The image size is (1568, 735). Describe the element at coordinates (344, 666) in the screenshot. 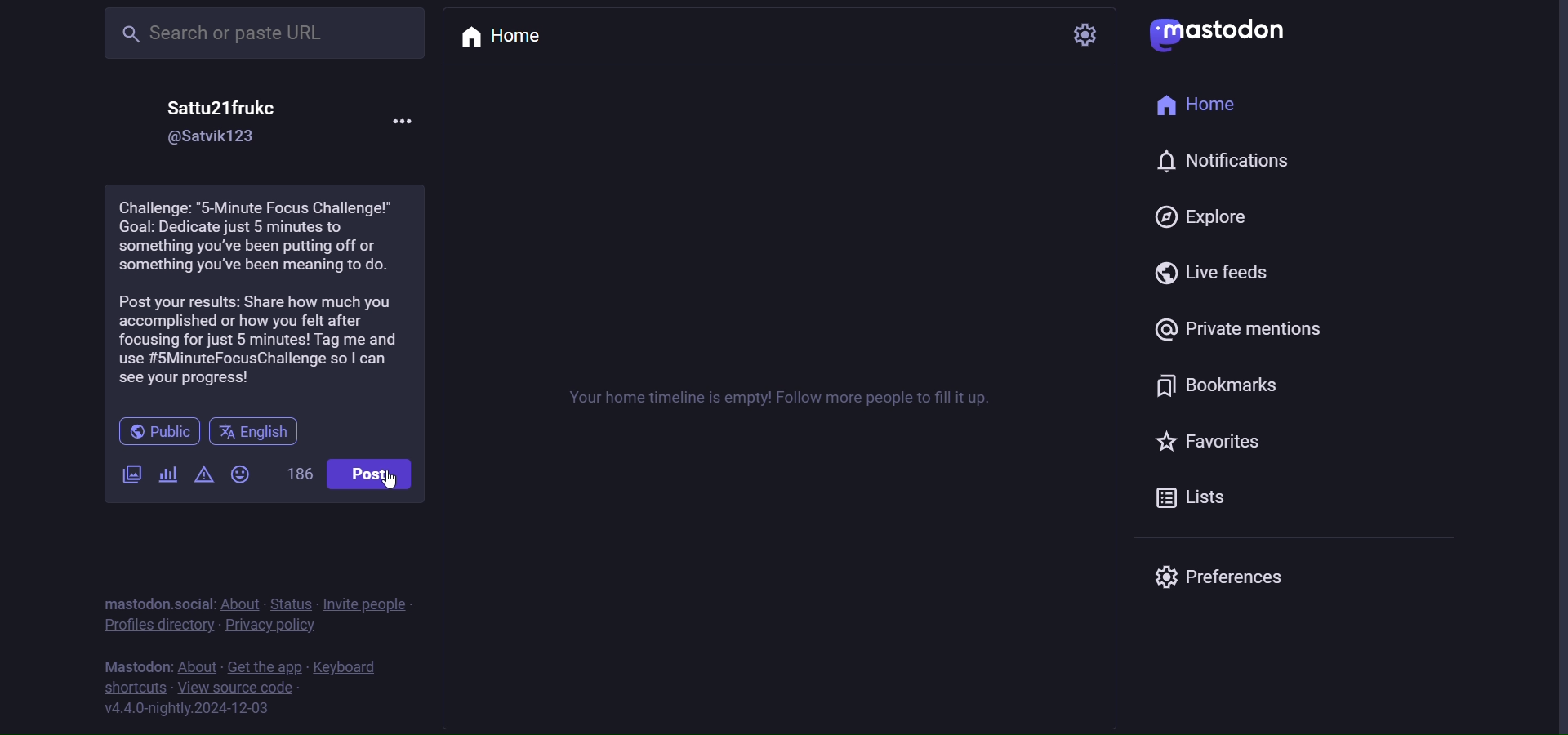

I see `keyboard` at that location.